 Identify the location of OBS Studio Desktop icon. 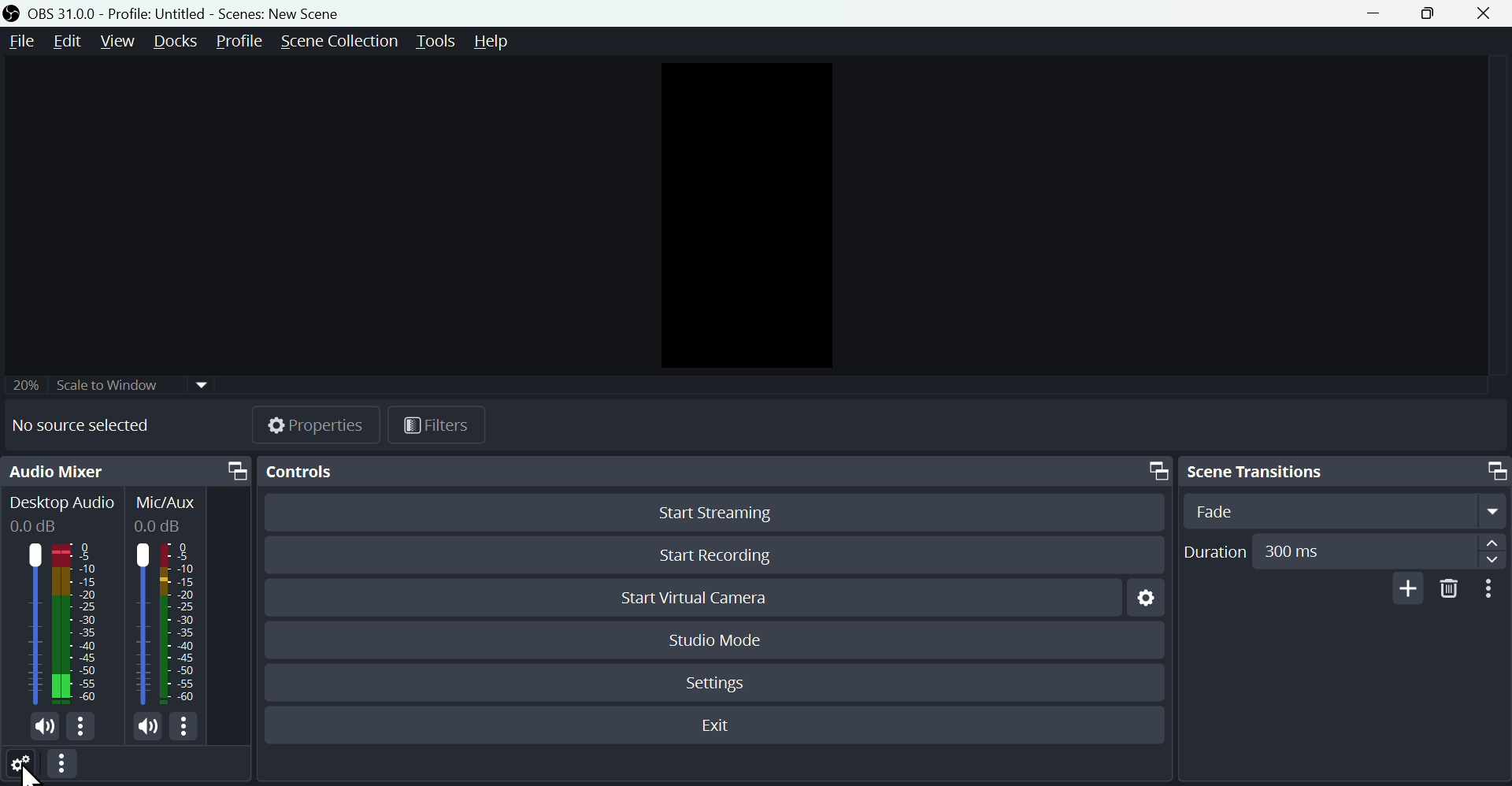
(12, 13).